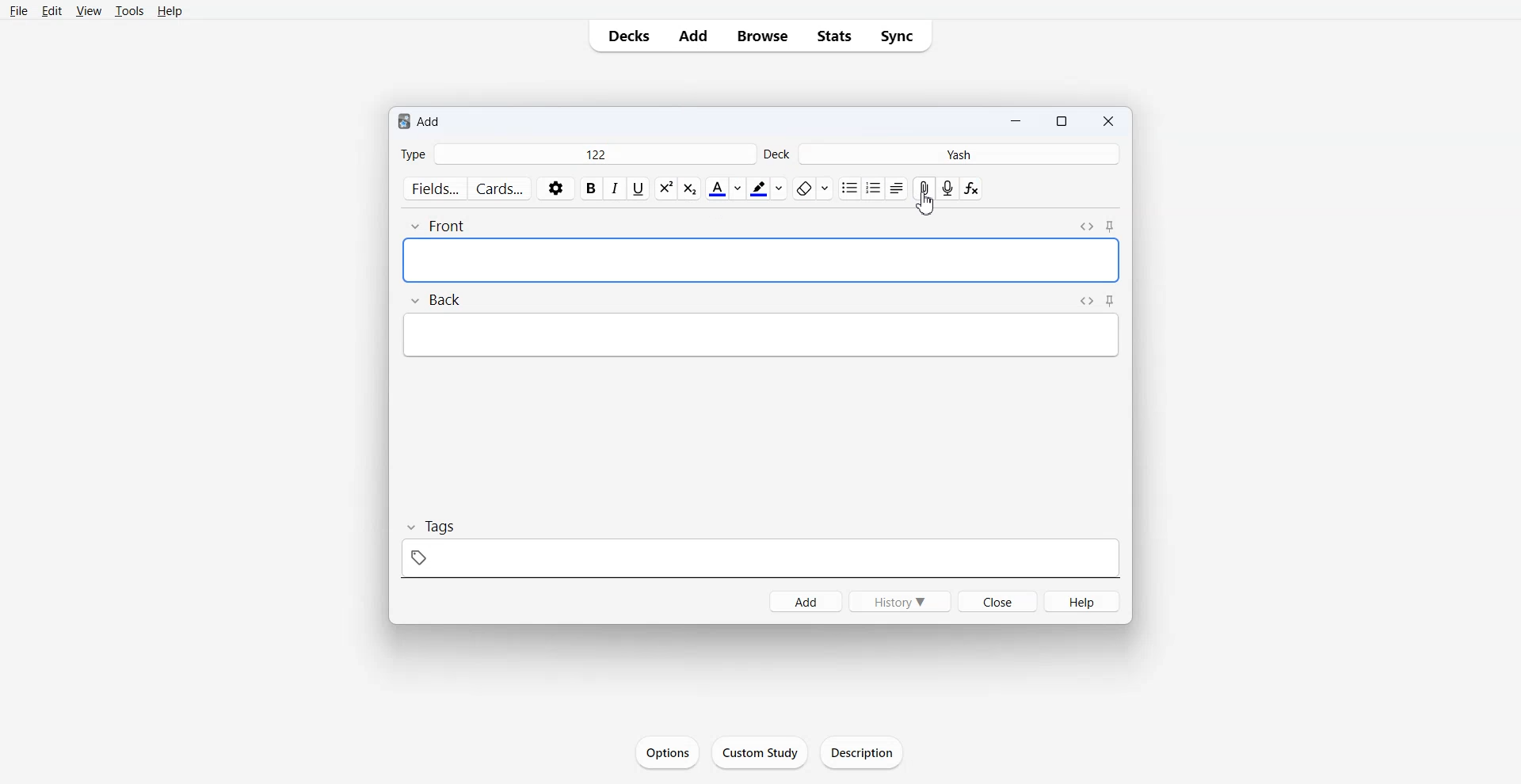  Describe the element at coordinates (897, 188) in the screenshot. I see `Alignment` at that location.